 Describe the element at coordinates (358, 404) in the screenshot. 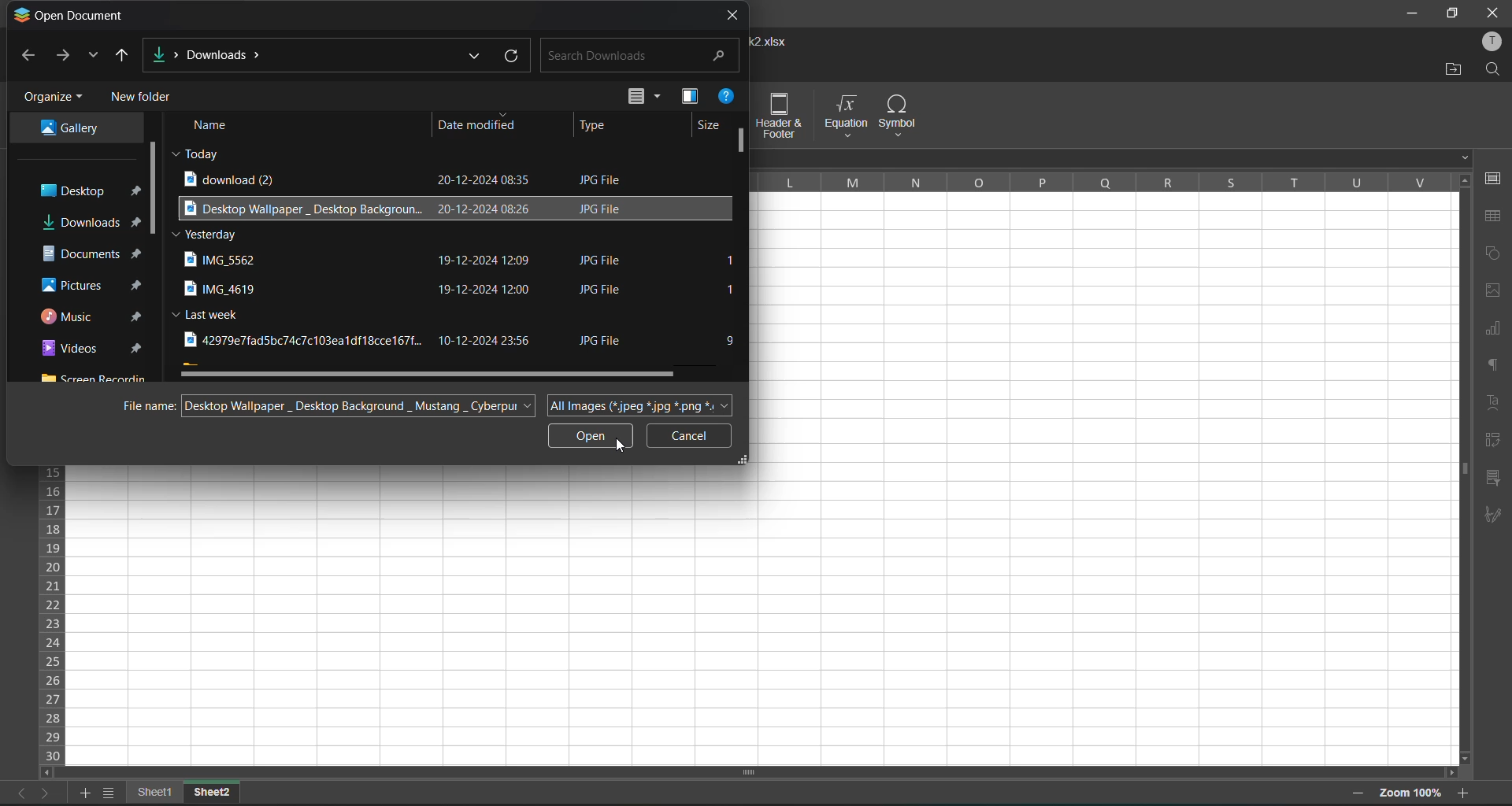

I see `Desktop Wallpaper _ Desktop Background _ Mustang _ Cyberpur` at that location.